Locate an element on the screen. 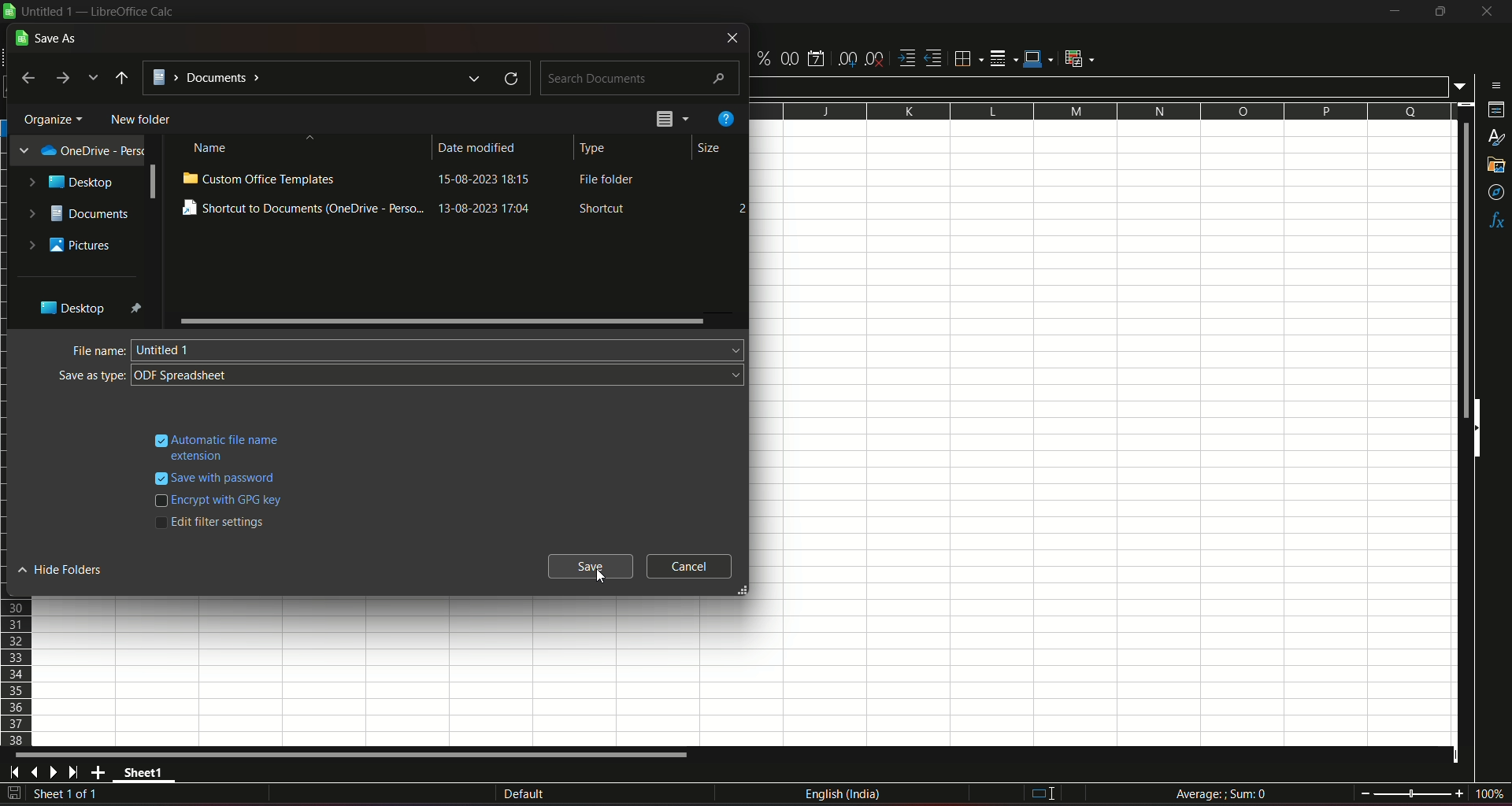  close is located at coordinates (1484, 14).